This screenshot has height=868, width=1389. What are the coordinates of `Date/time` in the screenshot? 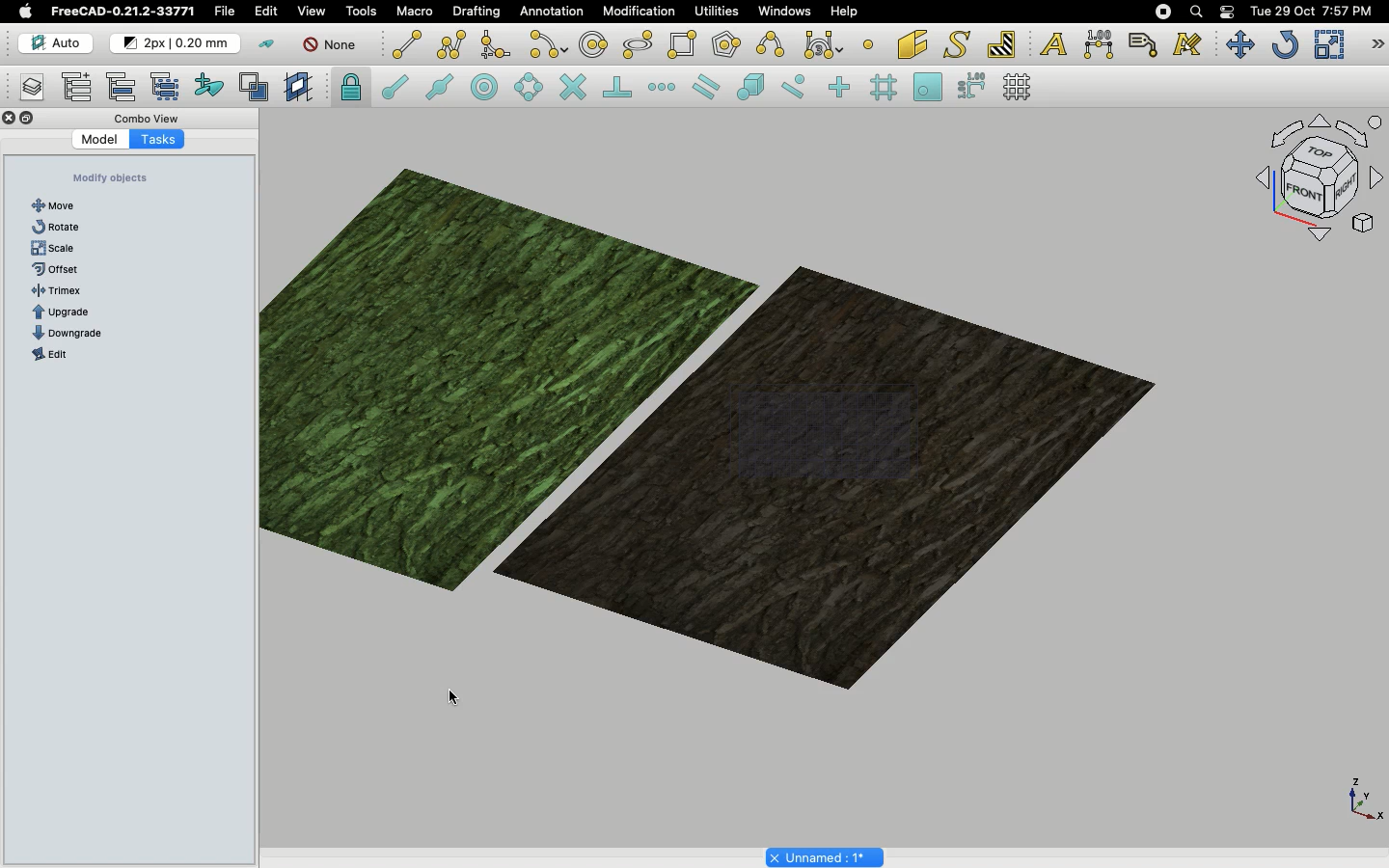 It's located at (1311, 10).